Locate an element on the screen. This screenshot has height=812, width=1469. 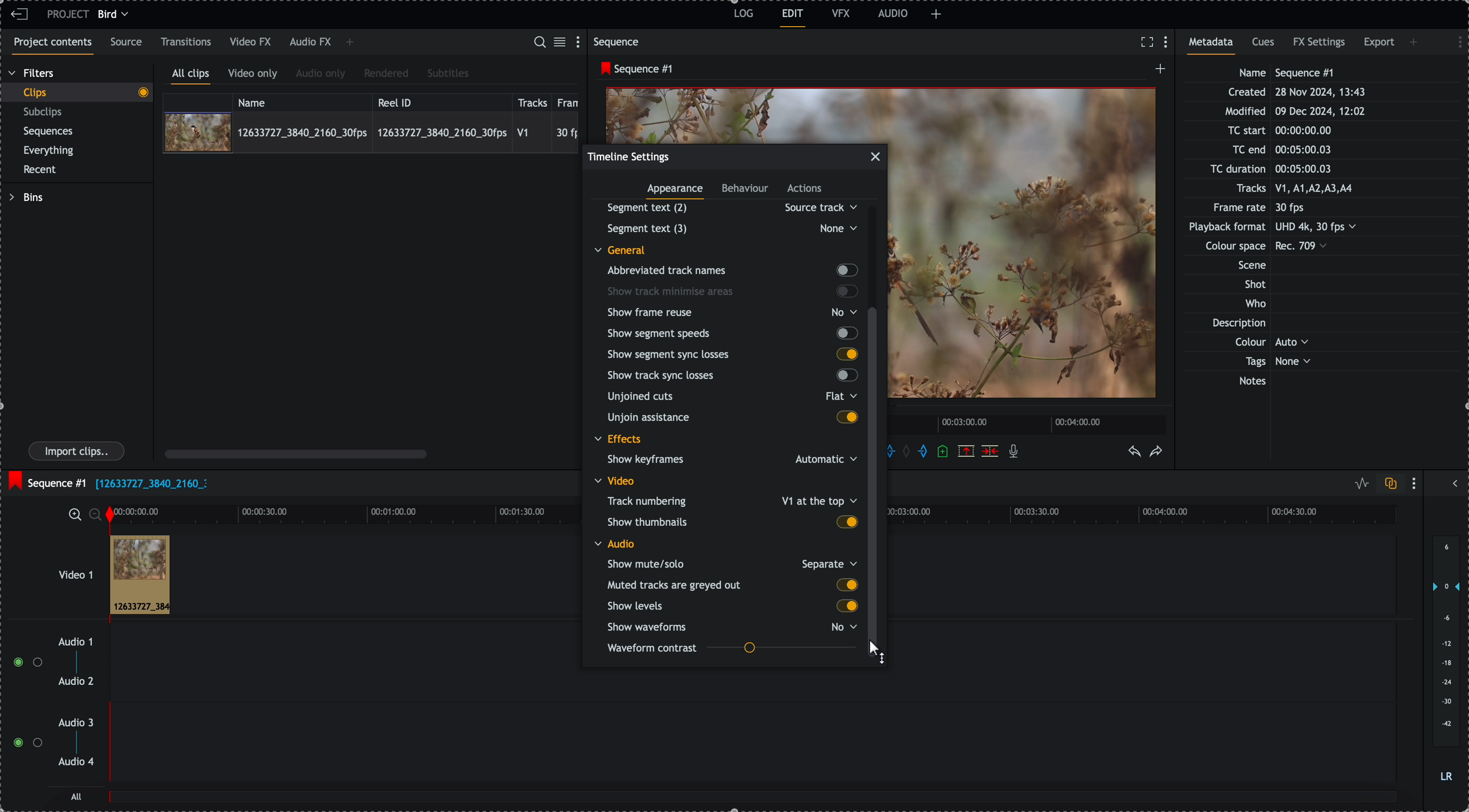
sequence #1 is located at coordinates (46, 480).